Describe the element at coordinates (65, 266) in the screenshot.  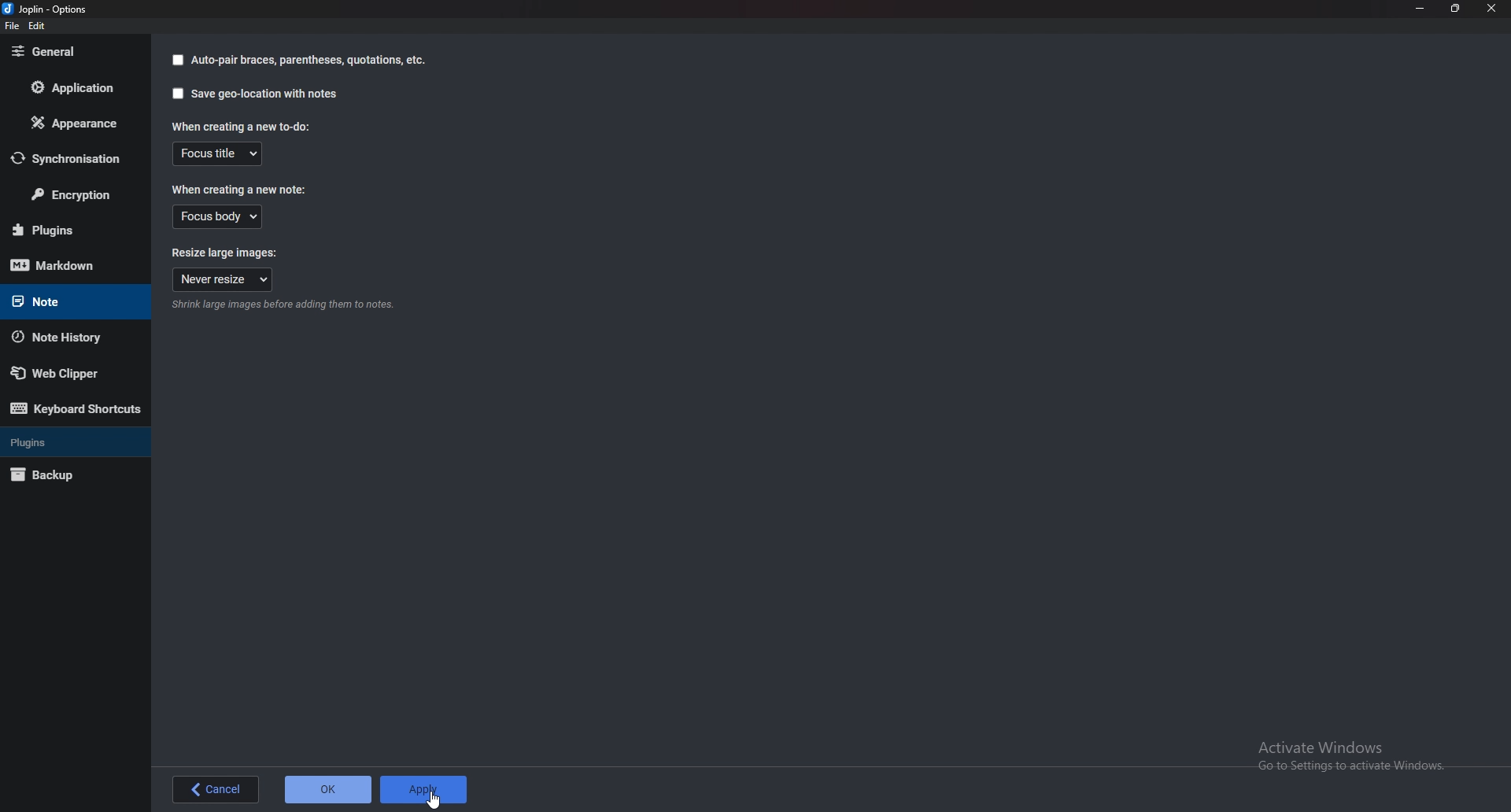
I see `mark down` at that location.